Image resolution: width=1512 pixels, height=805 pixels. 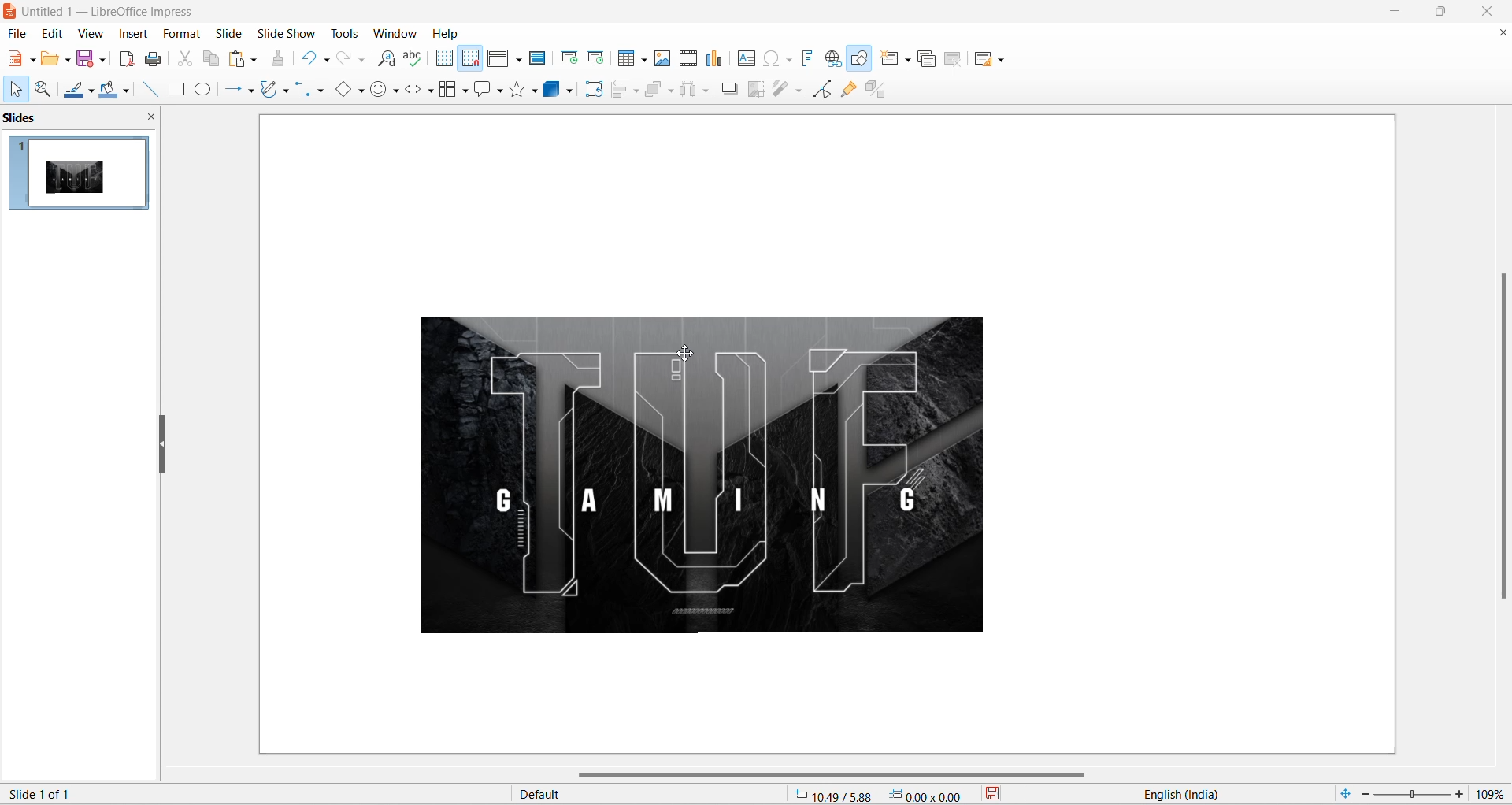 I want to click on delete slide, so click(x=954, y=61).